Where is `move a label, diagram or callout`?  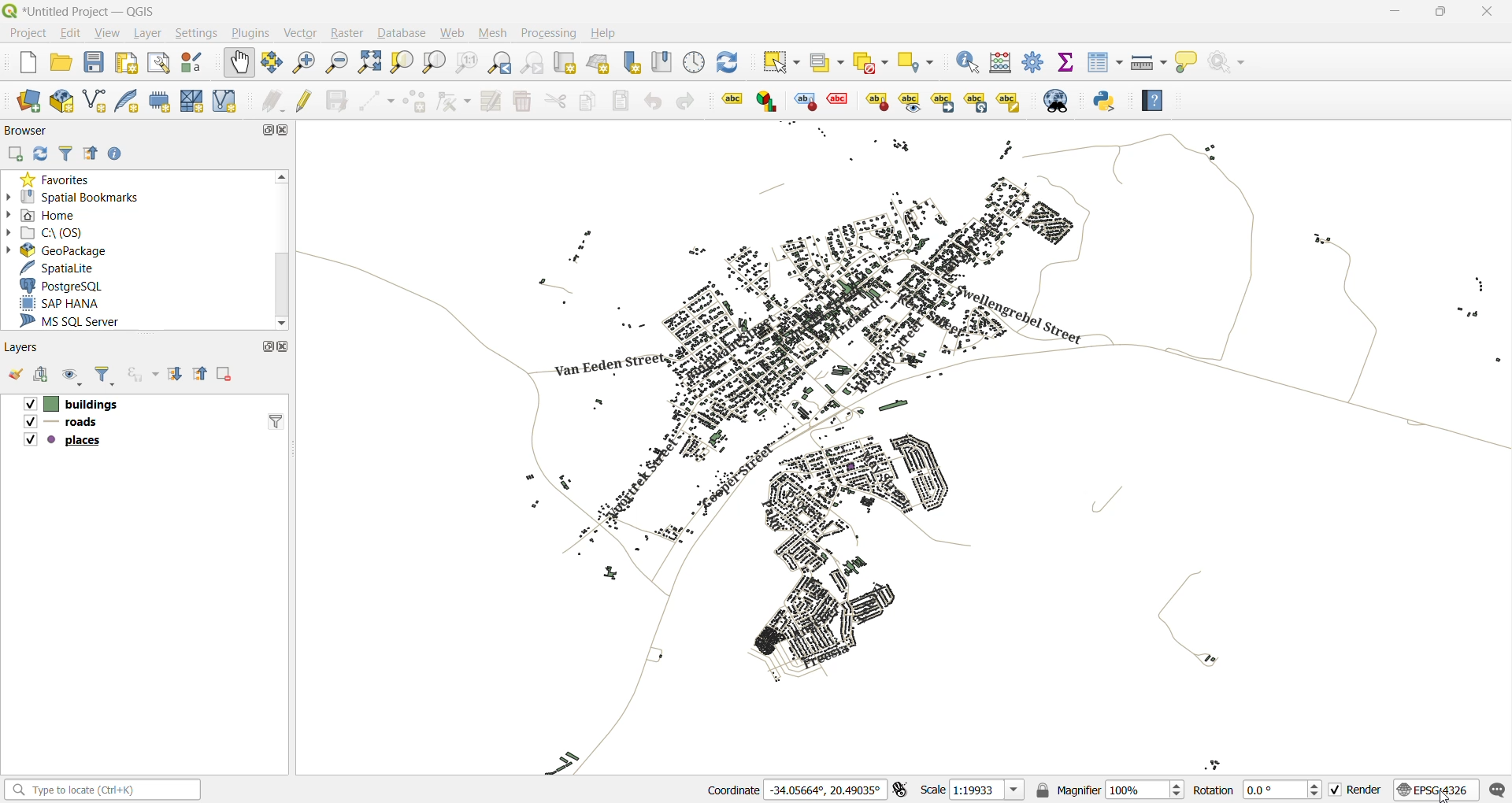 move a label, diagram or callout is located at coordinates (943, 102).